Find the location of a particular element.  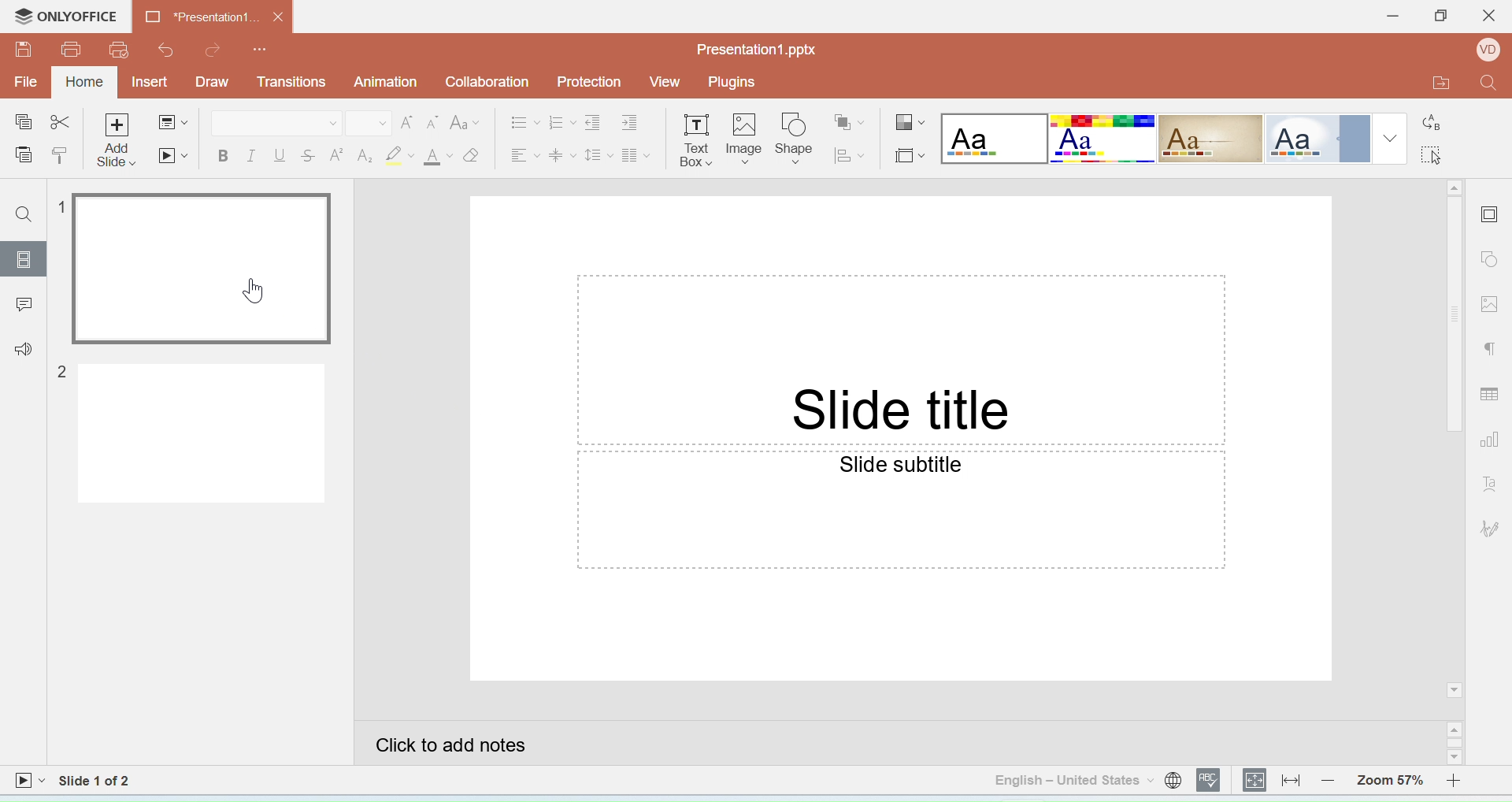

Number spacing is located at coordinates (563, 121).